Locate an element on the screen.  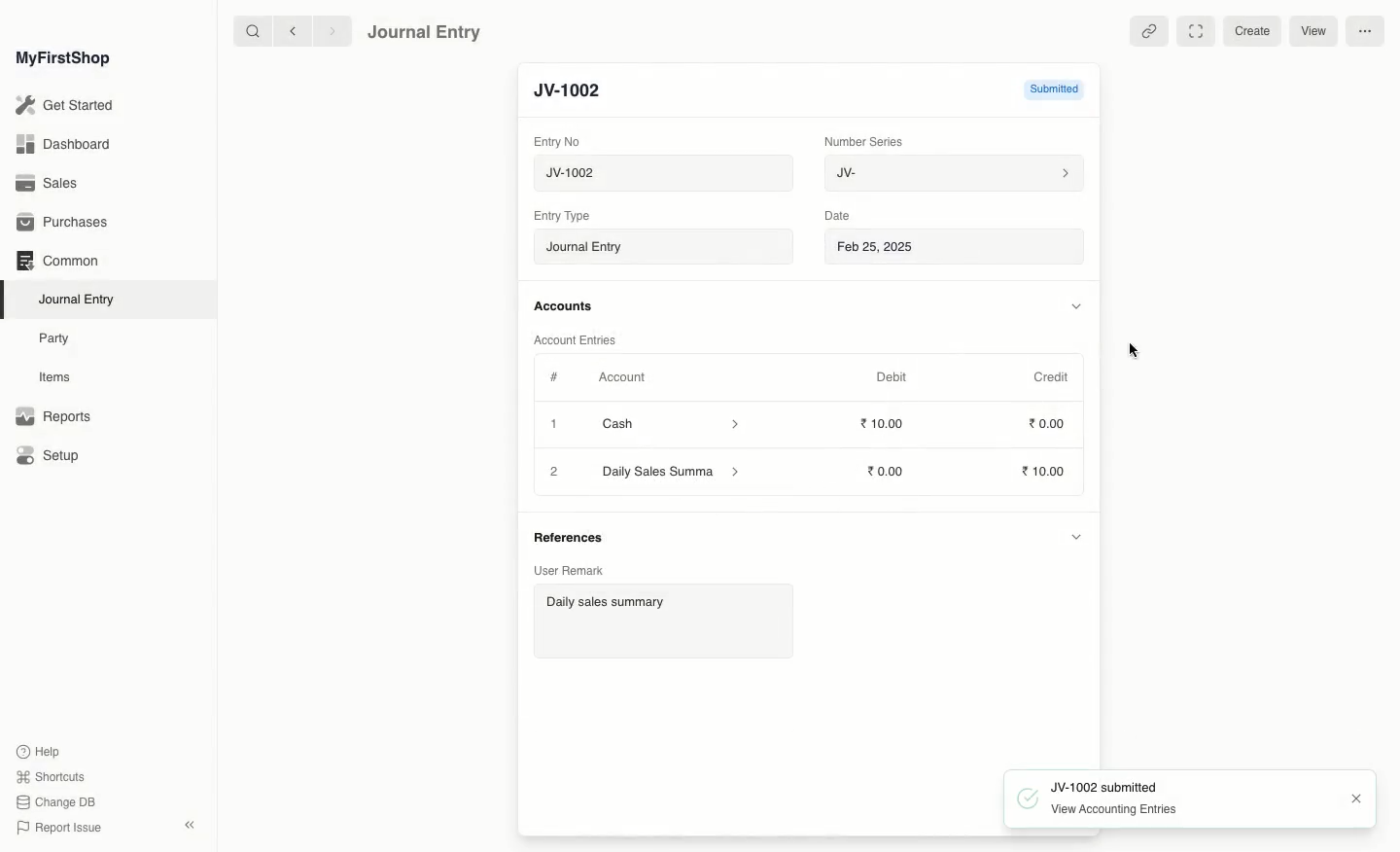
10.00 is located at coordinates (1046, 473).